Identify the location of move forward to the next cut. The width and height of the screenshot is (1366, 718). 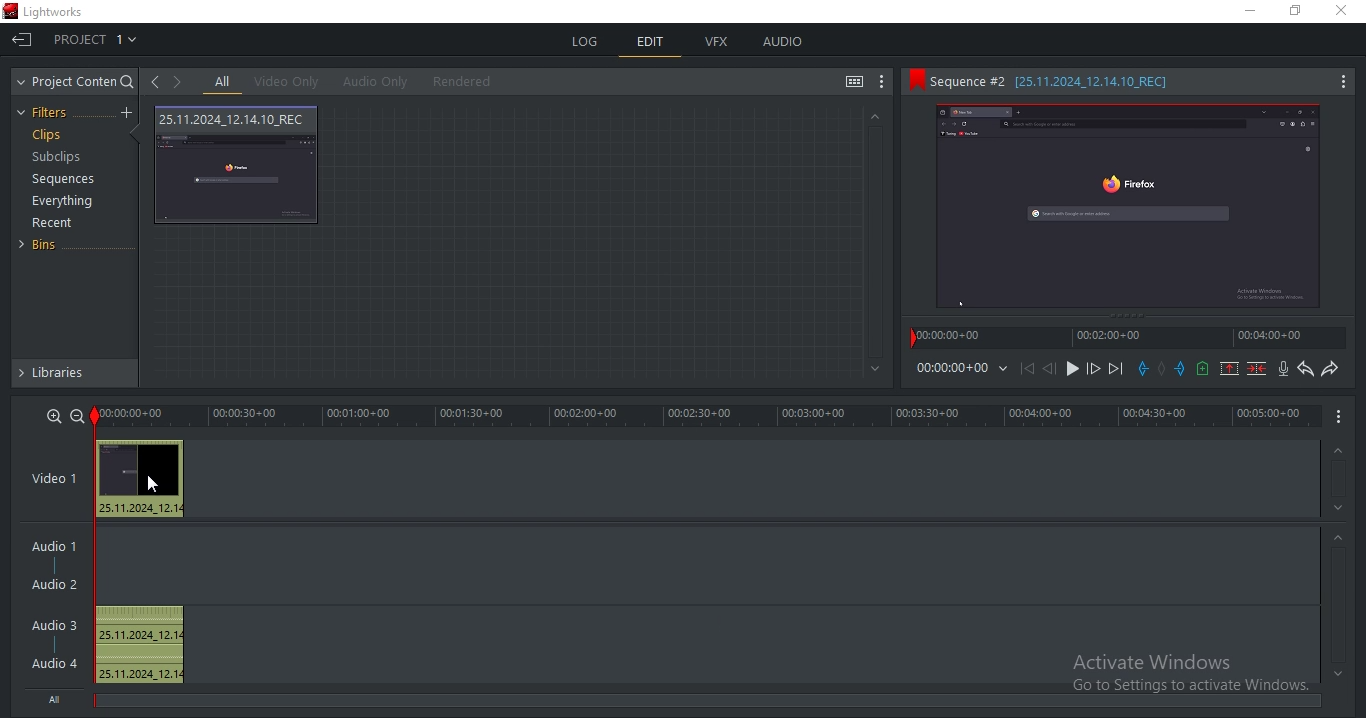
(1114, 369).